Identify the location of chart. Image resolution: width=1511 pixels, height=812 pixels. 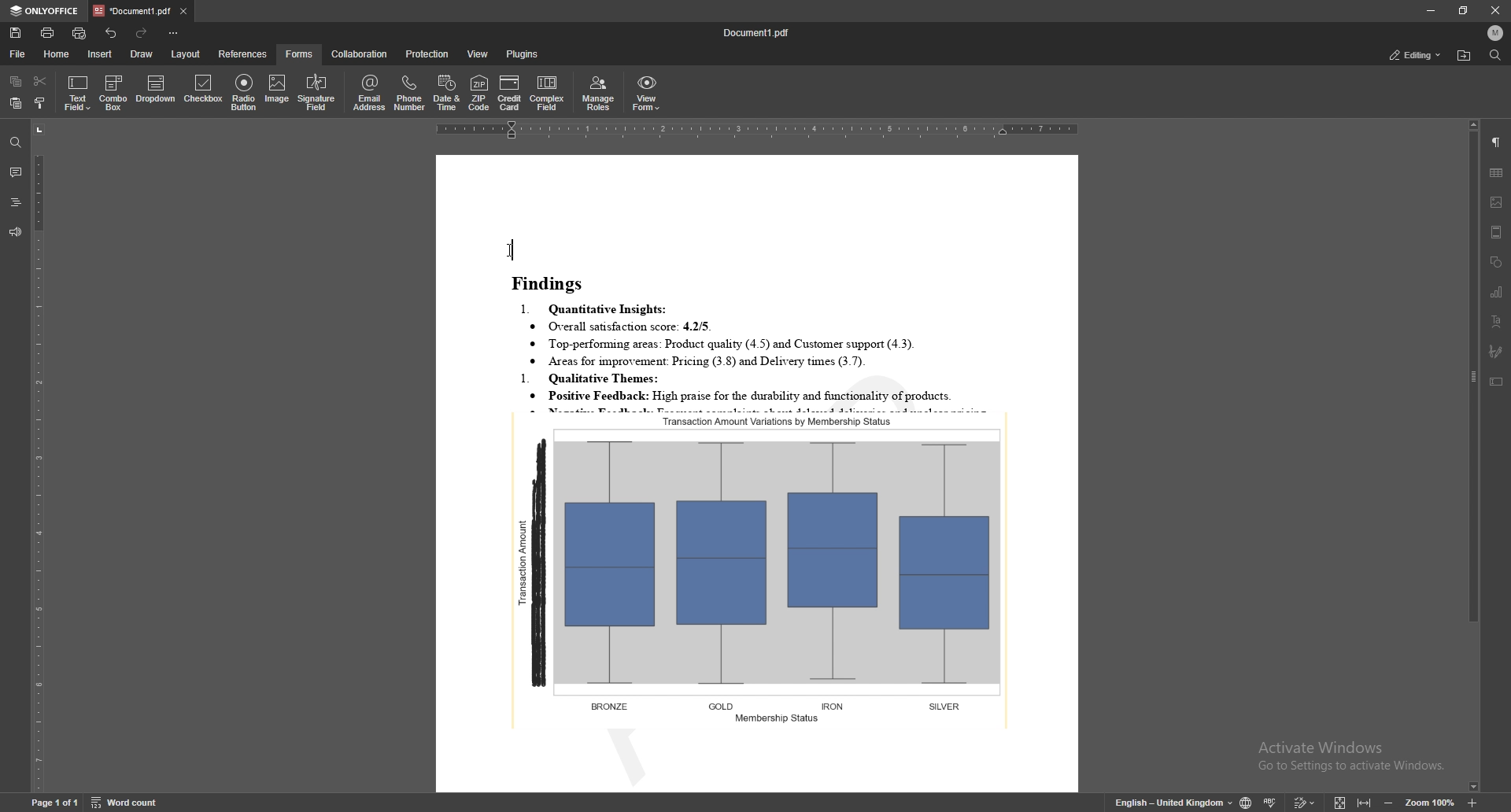
(1497, 292).